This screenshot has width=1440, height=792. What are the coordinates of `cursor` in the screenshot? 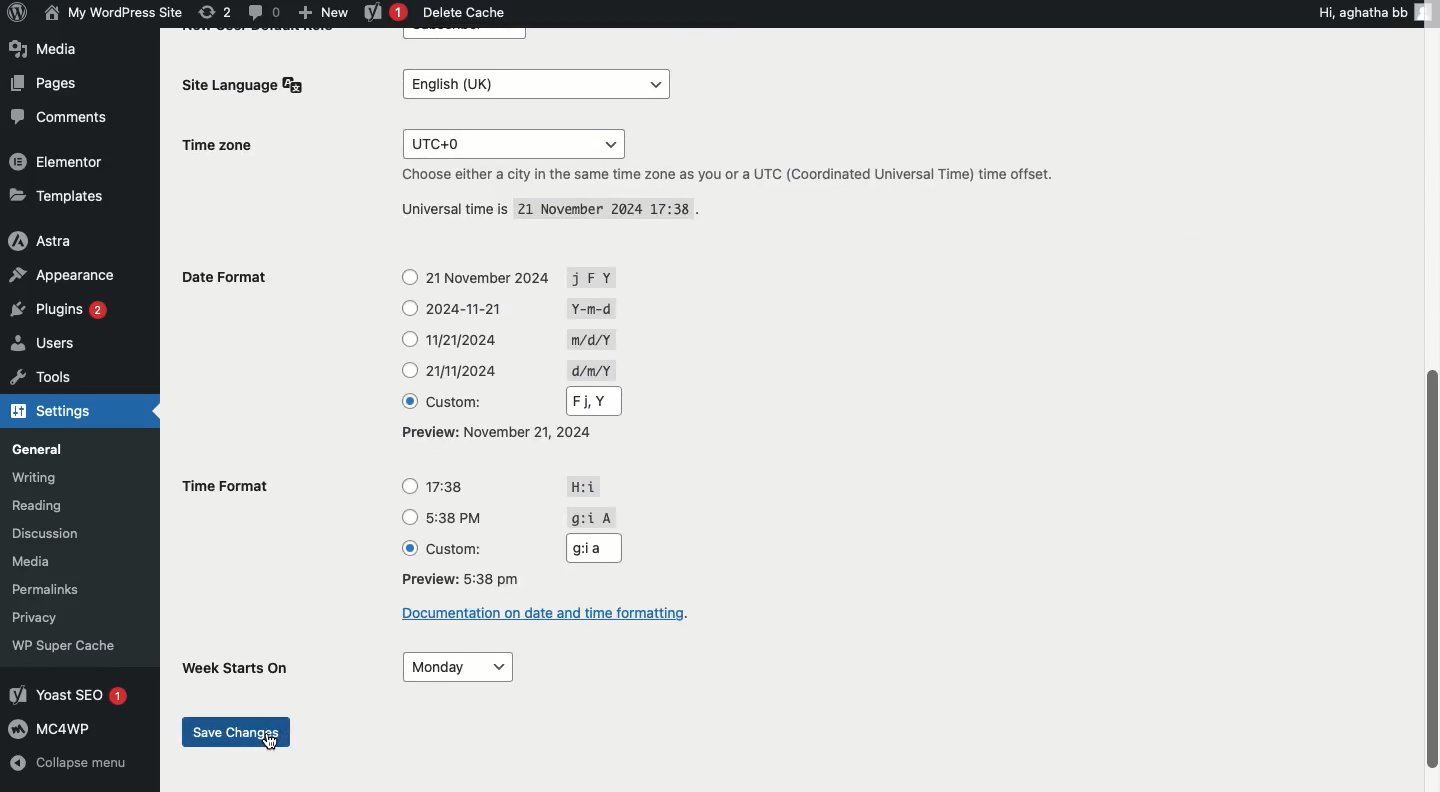 It's located at (273, 746).